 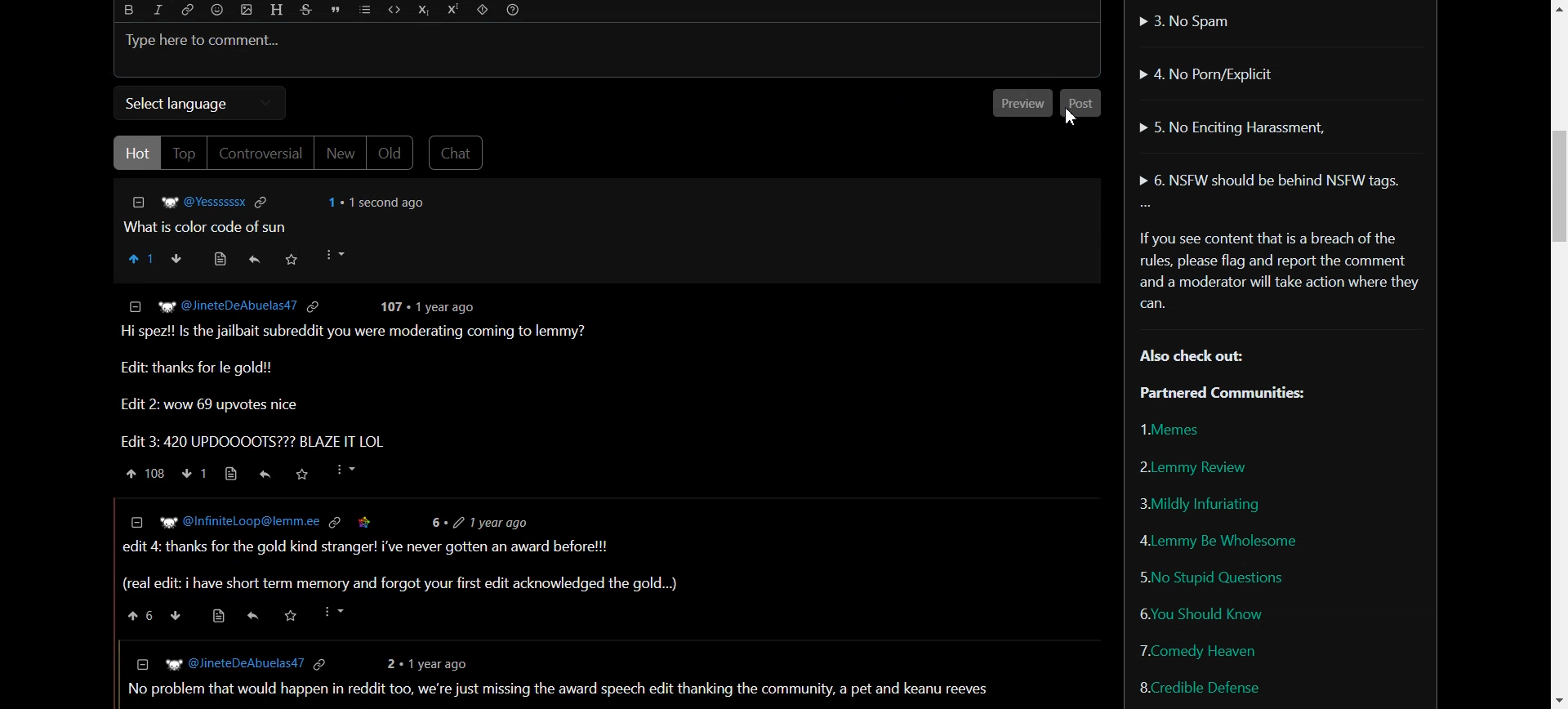 What do you see at coordinates (274, 522) in the screenshot?
I see `@InfiniteLoop@lemm.ee` at bounding box center [274, 522].